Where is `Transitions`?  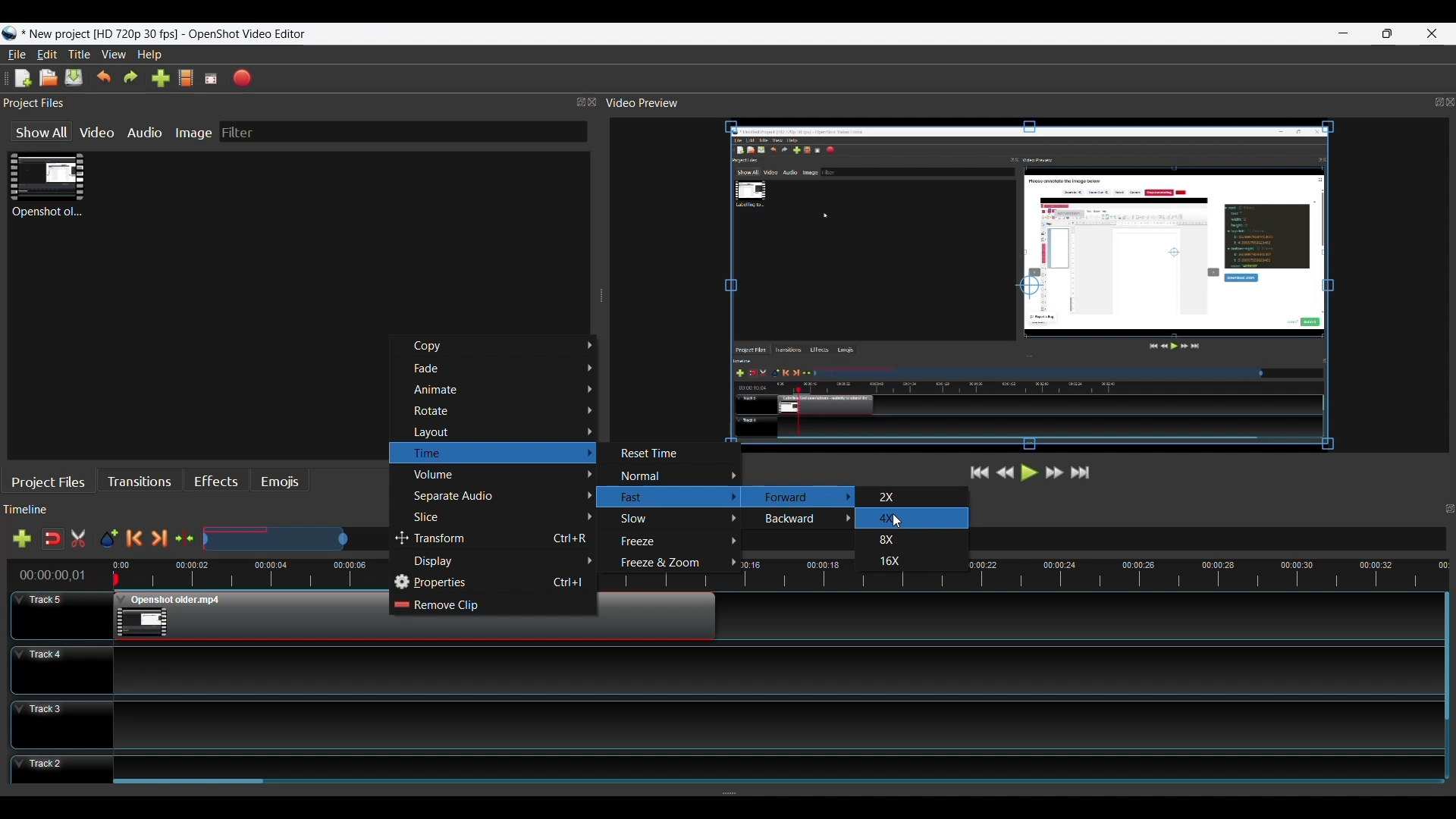 Transitions is located at coordinates (138, 482).